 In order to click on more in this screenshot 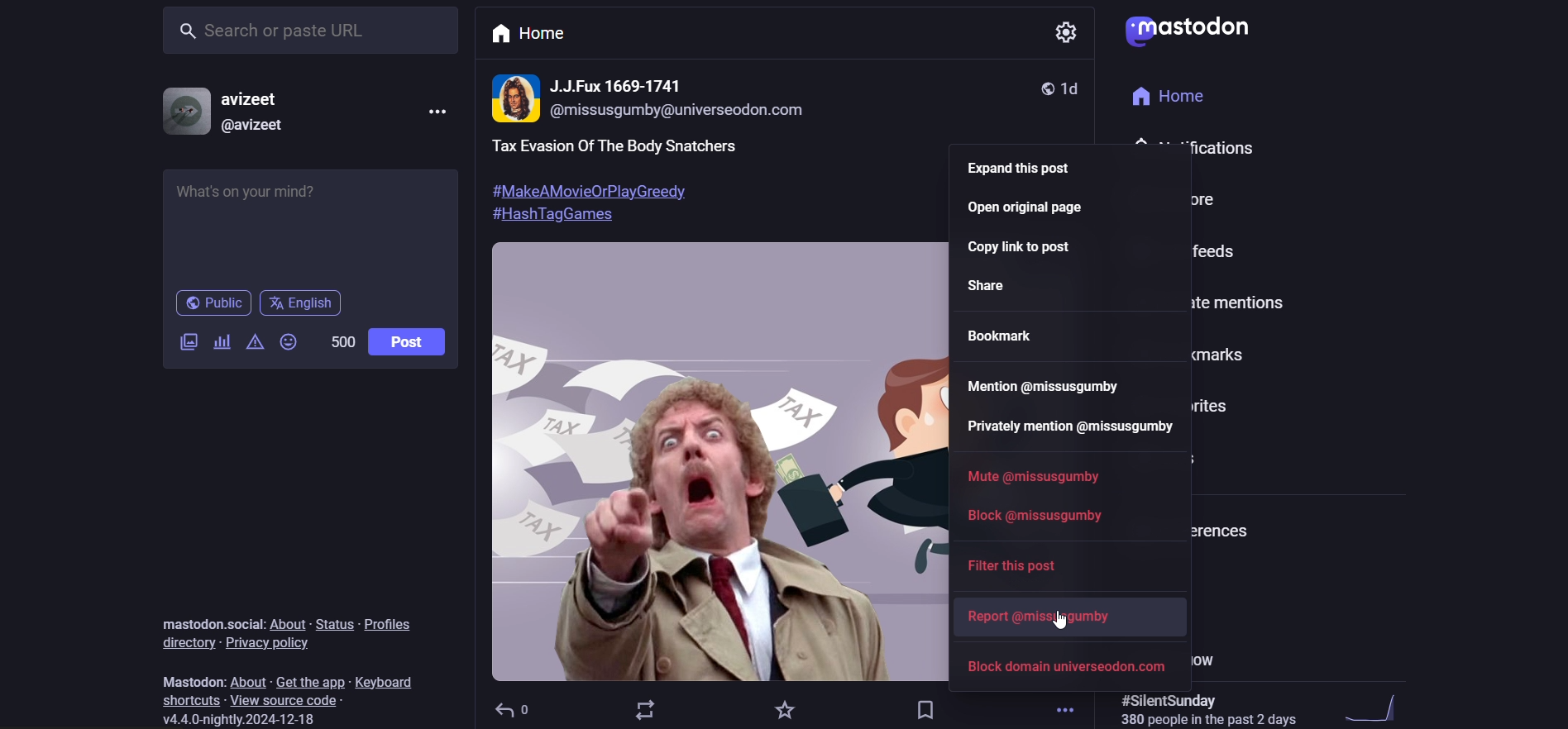, I will do `click(439, 113)`.